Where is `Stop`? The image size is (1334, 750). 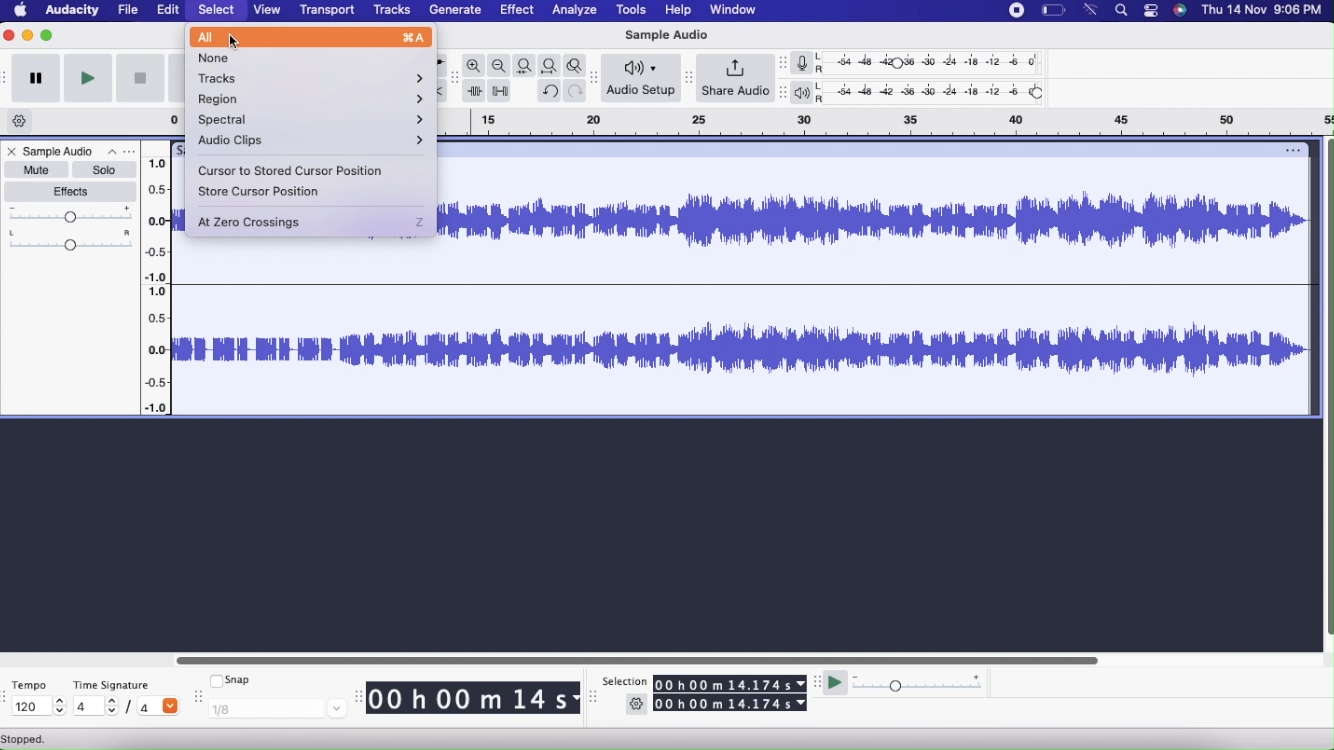
Stop is located at coordinates (1016, 11).